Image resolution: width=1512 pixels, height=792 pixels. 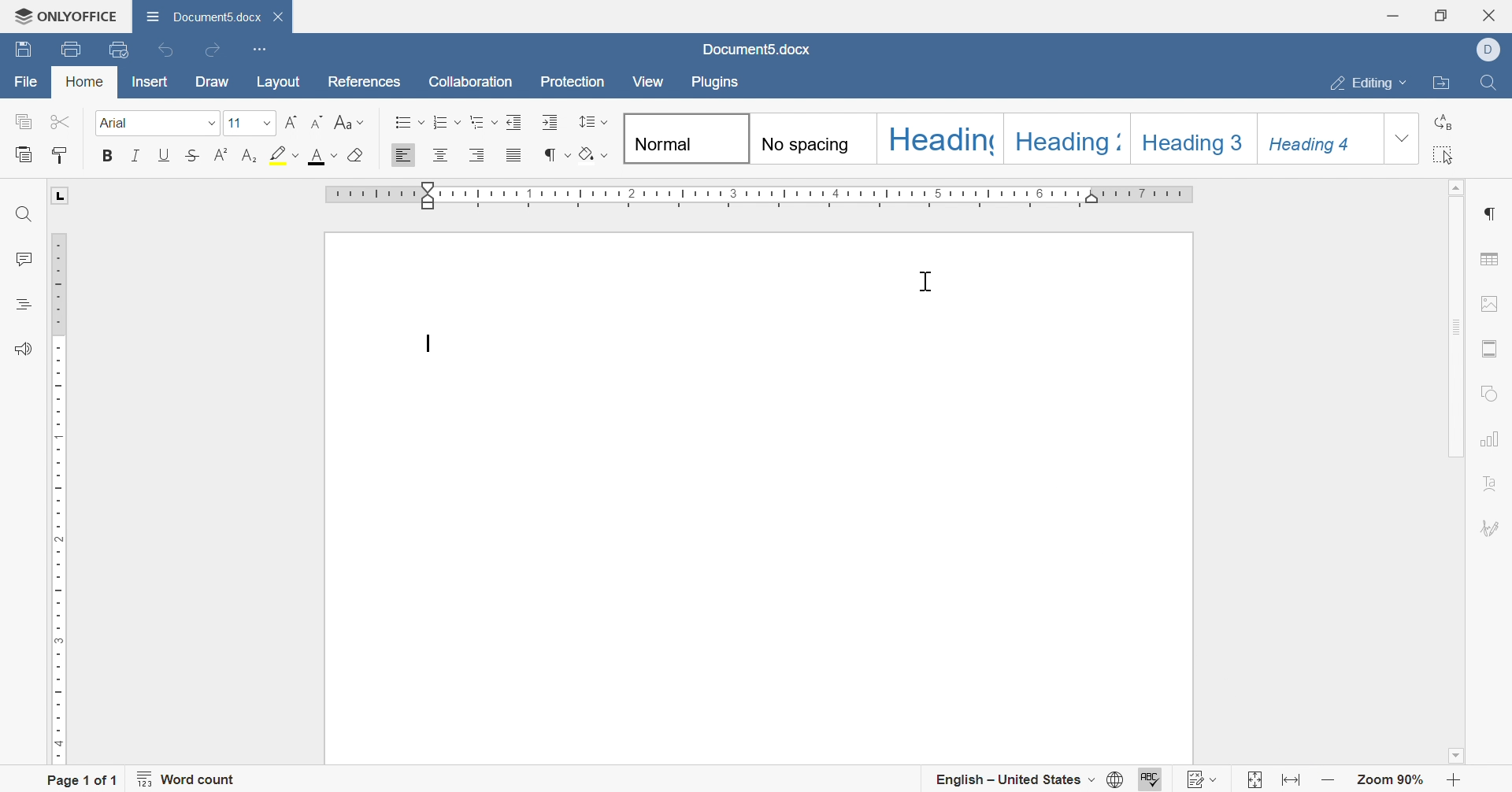 What do you see at coordinates (1488, 394) in the screenshot?
I see `shape settings` at bounding box center [1488, 394].